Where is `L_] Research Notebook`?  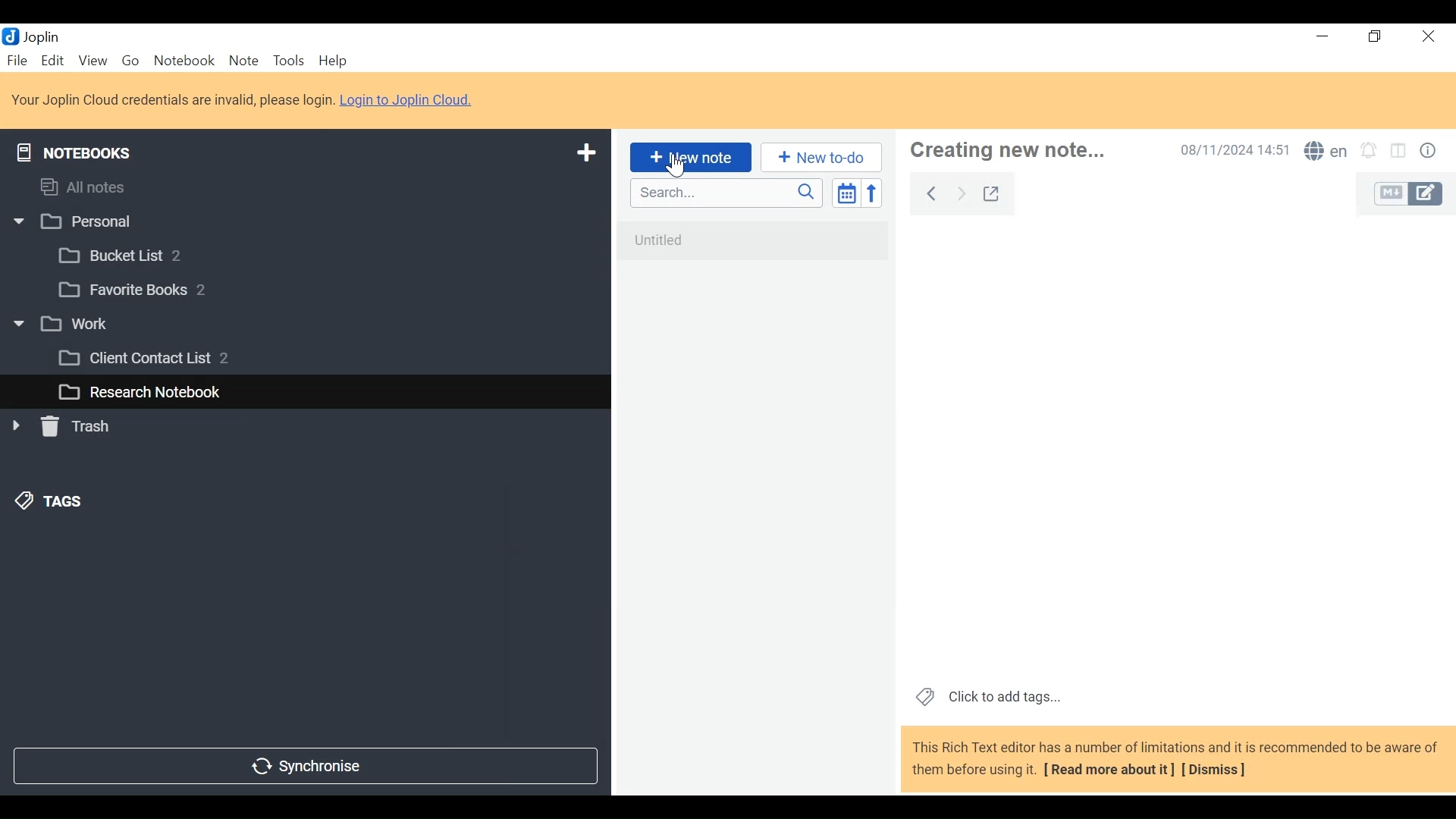 L_] Research Notebook is located at coordinates (138, 393).